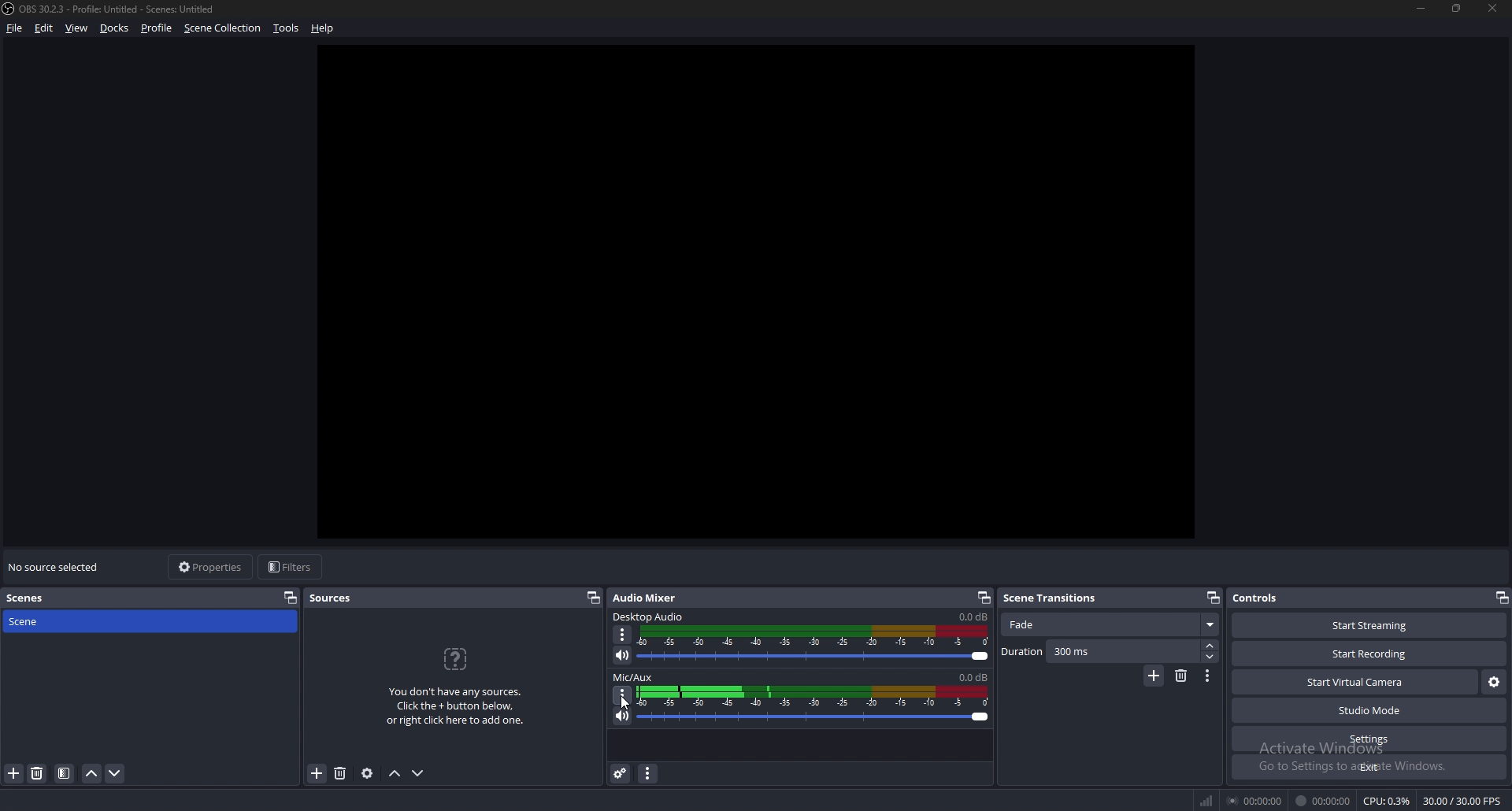 The width and height of the screenshot is (1512, 811). What do you see at coordinates (622, 717) in the screenshot?
I see `mute` at bounding box center [622, 717].